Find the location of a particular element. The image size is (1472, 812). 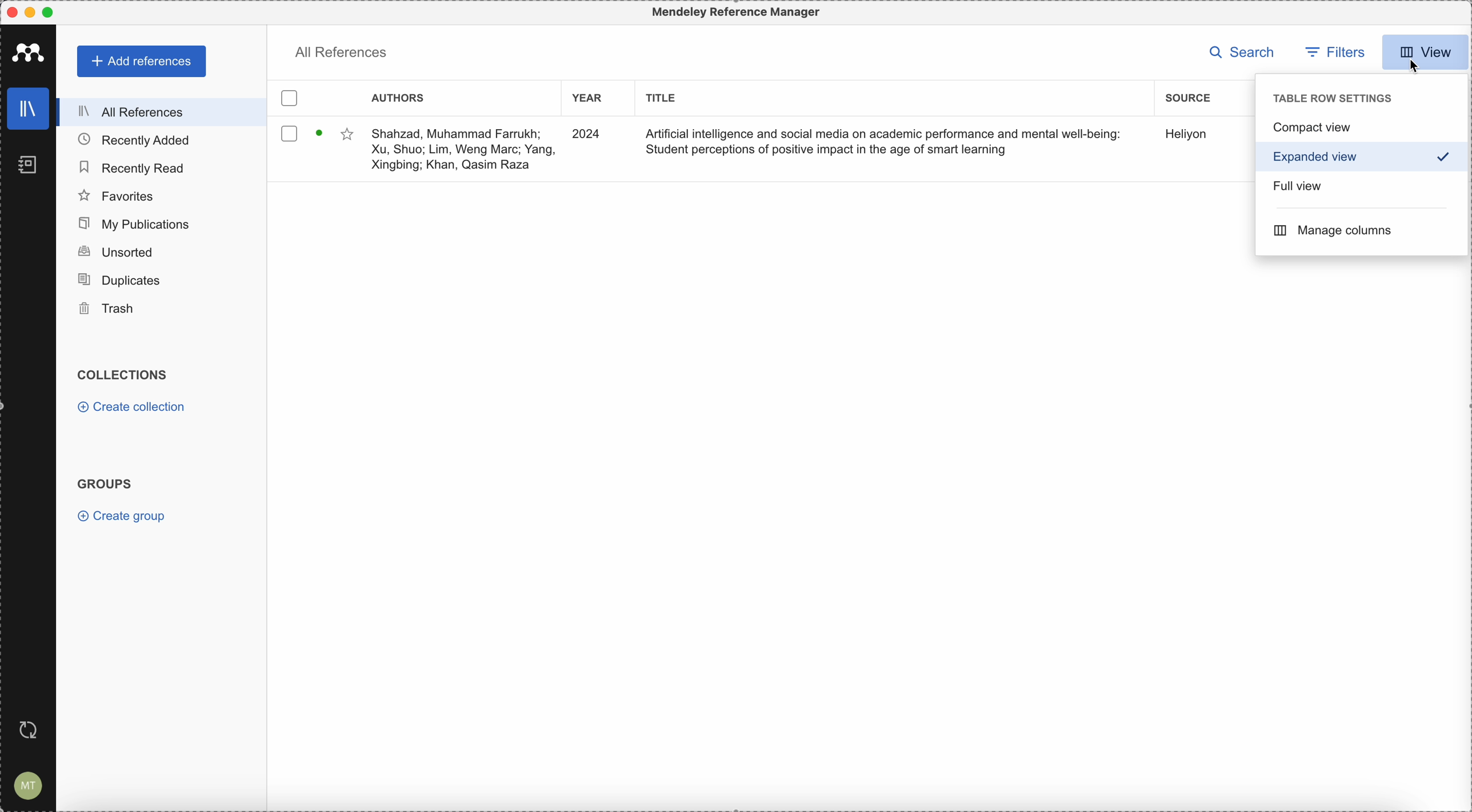

groups is located at coordinates (107, 484).